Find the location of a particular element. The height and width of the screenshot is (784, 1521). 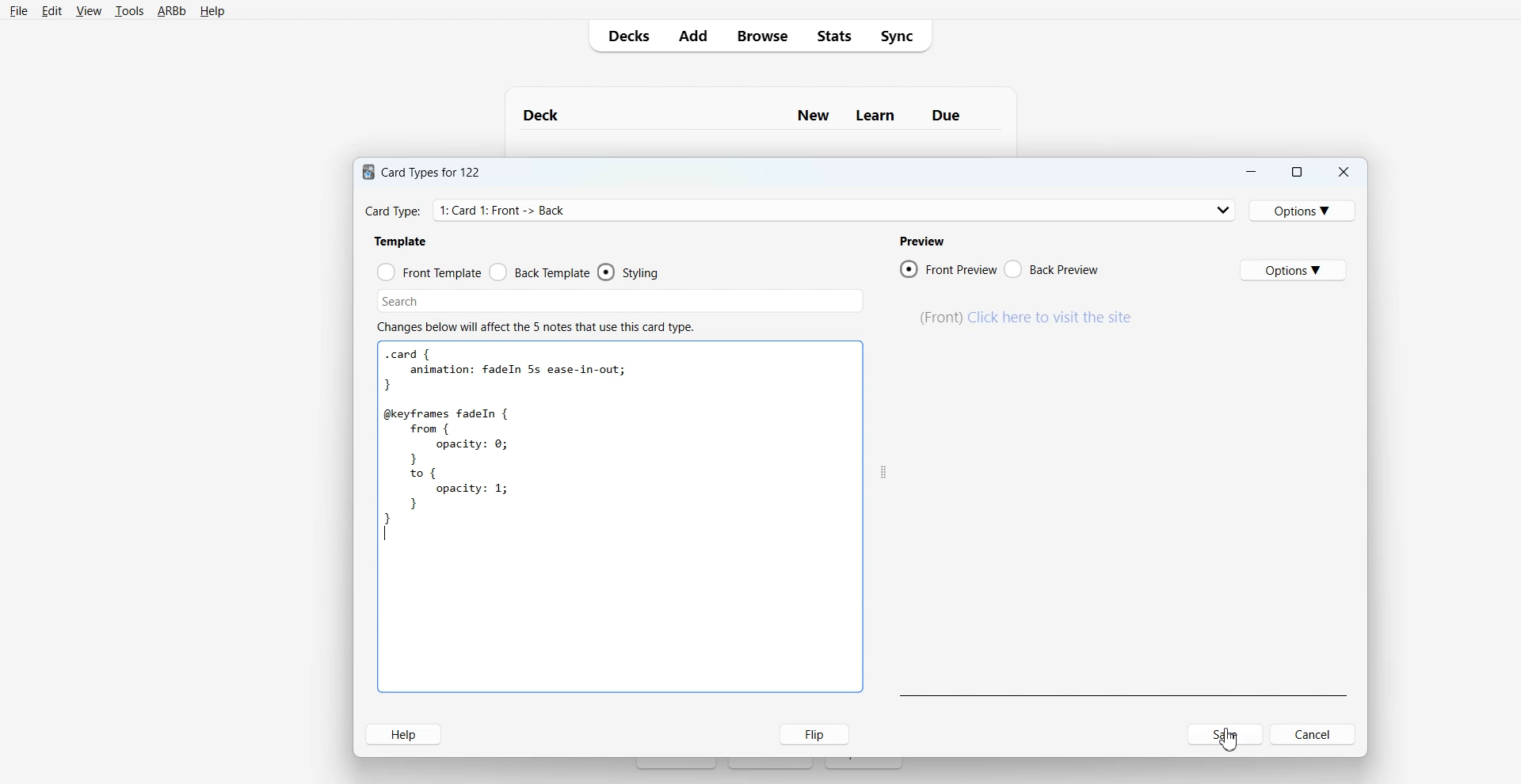

Save is located at coordinates (1226, 734).